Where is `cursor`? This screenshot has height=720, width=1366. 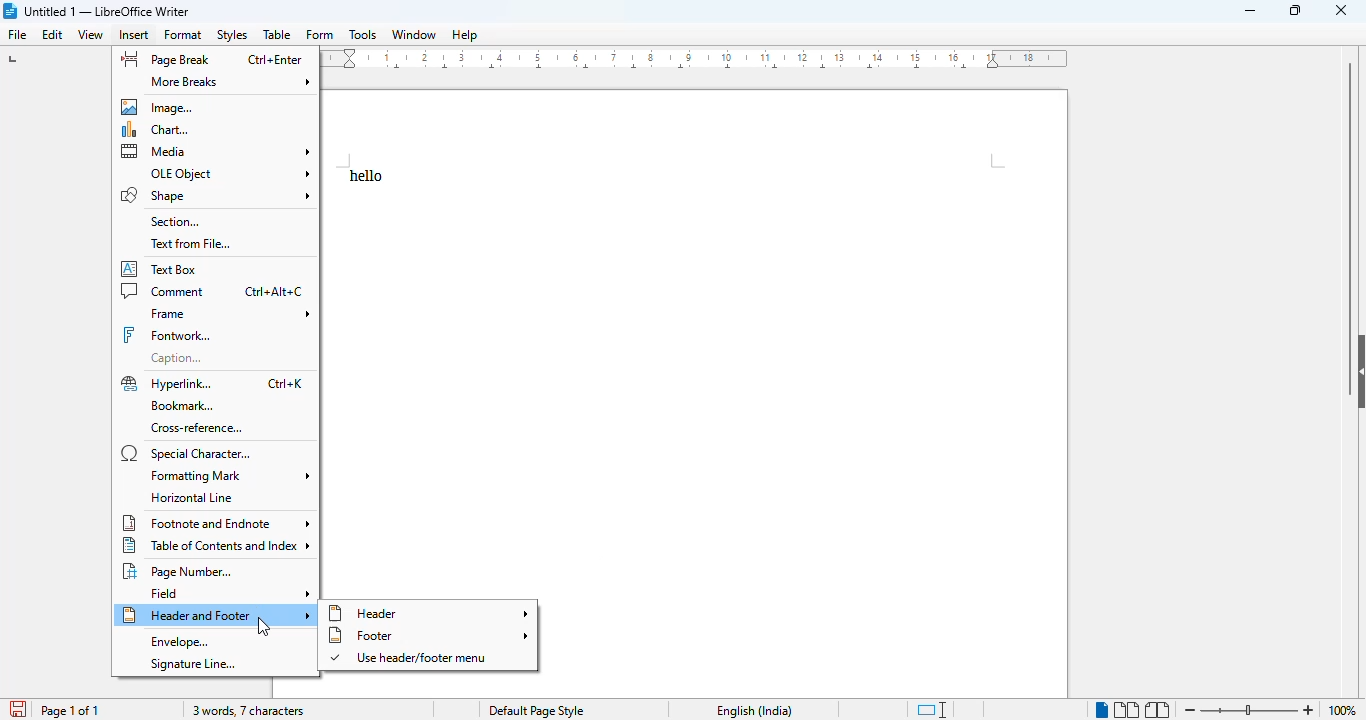 cursor is located at coordinates (263, 627).